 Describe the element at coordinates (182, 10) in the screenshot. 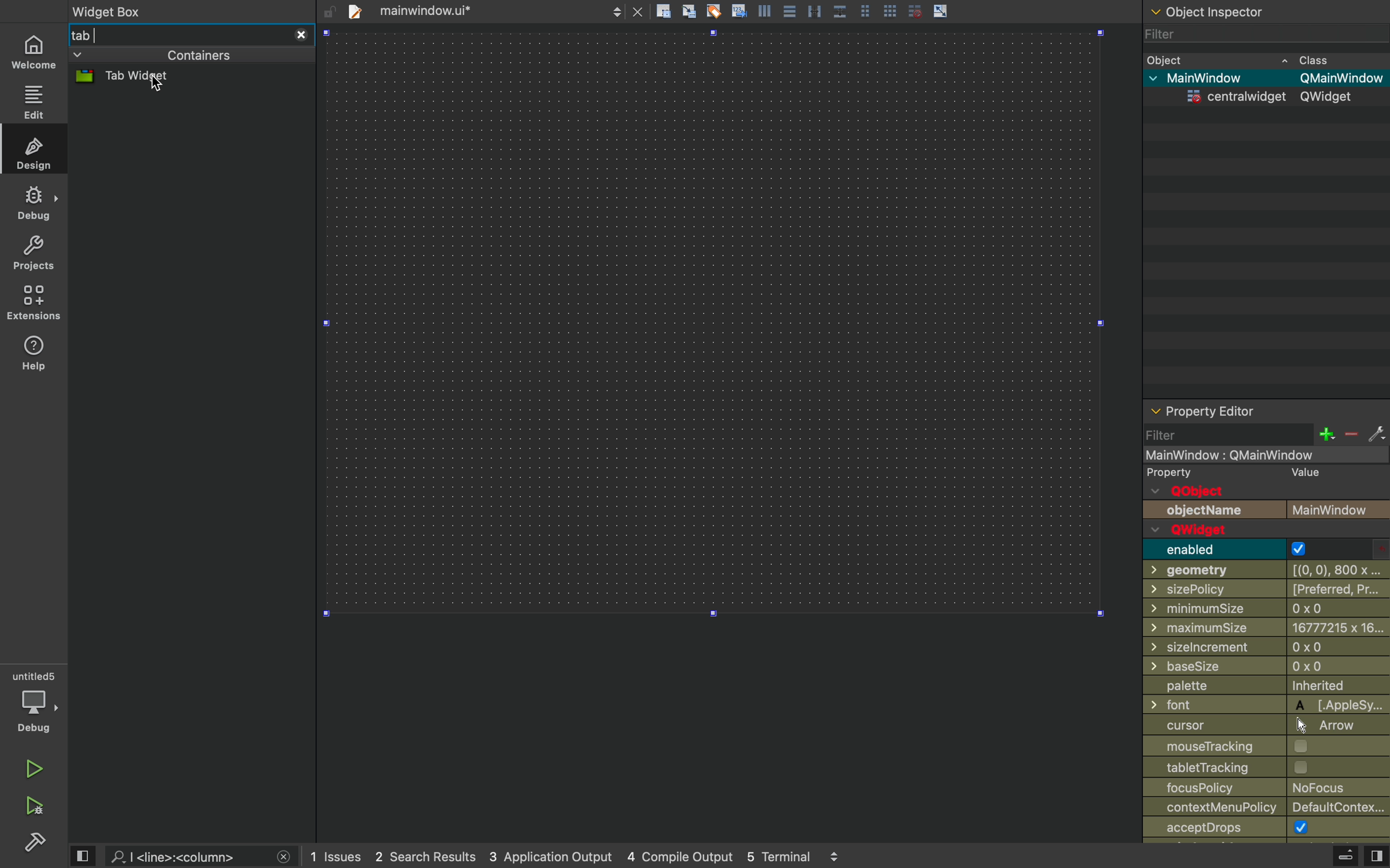

I see `widget box` at that location.